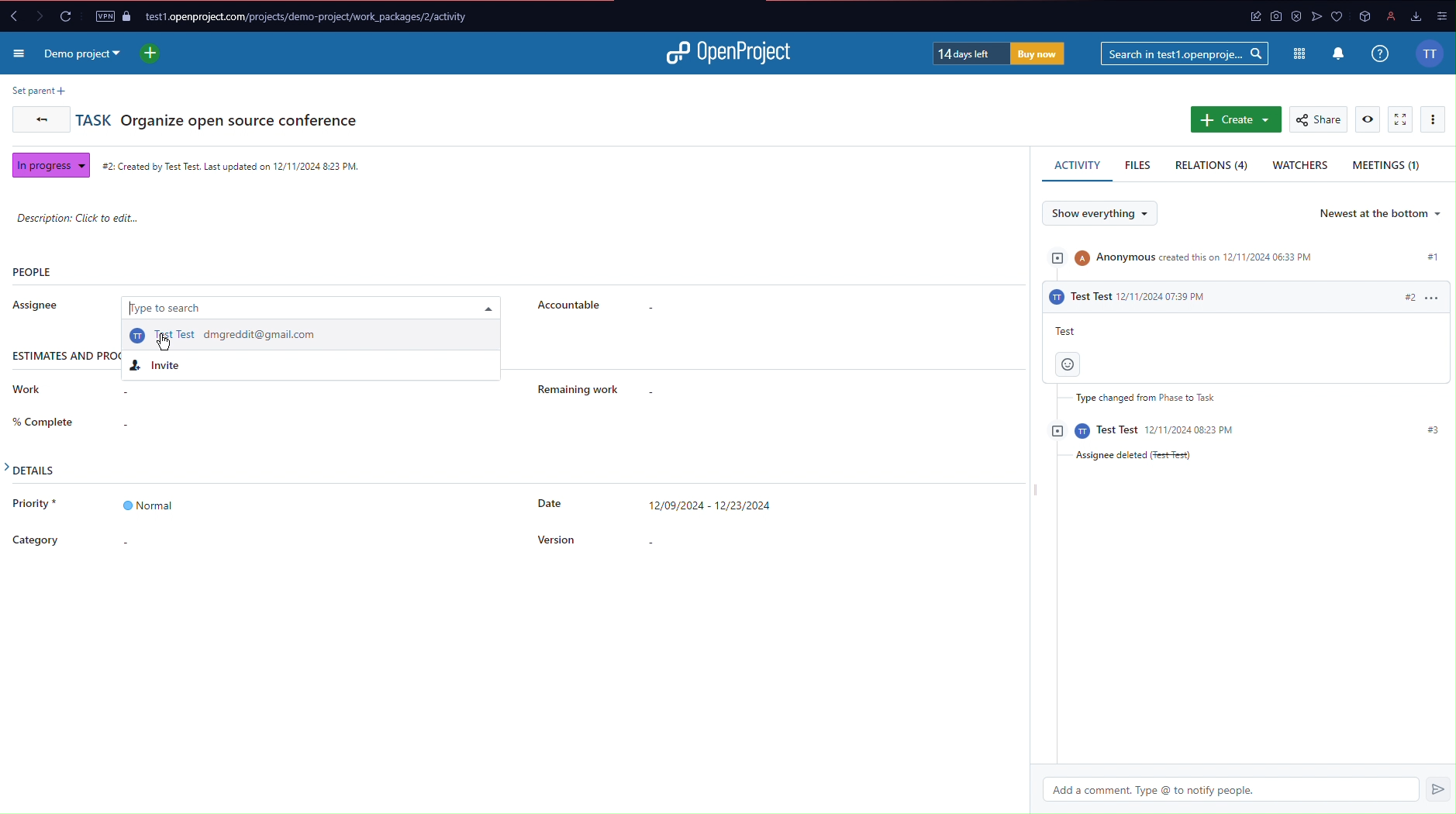 The image size is (1456, 814). Describe the element at coordinates (730, 57) in the screenshot. I see `Open Project` at that location.